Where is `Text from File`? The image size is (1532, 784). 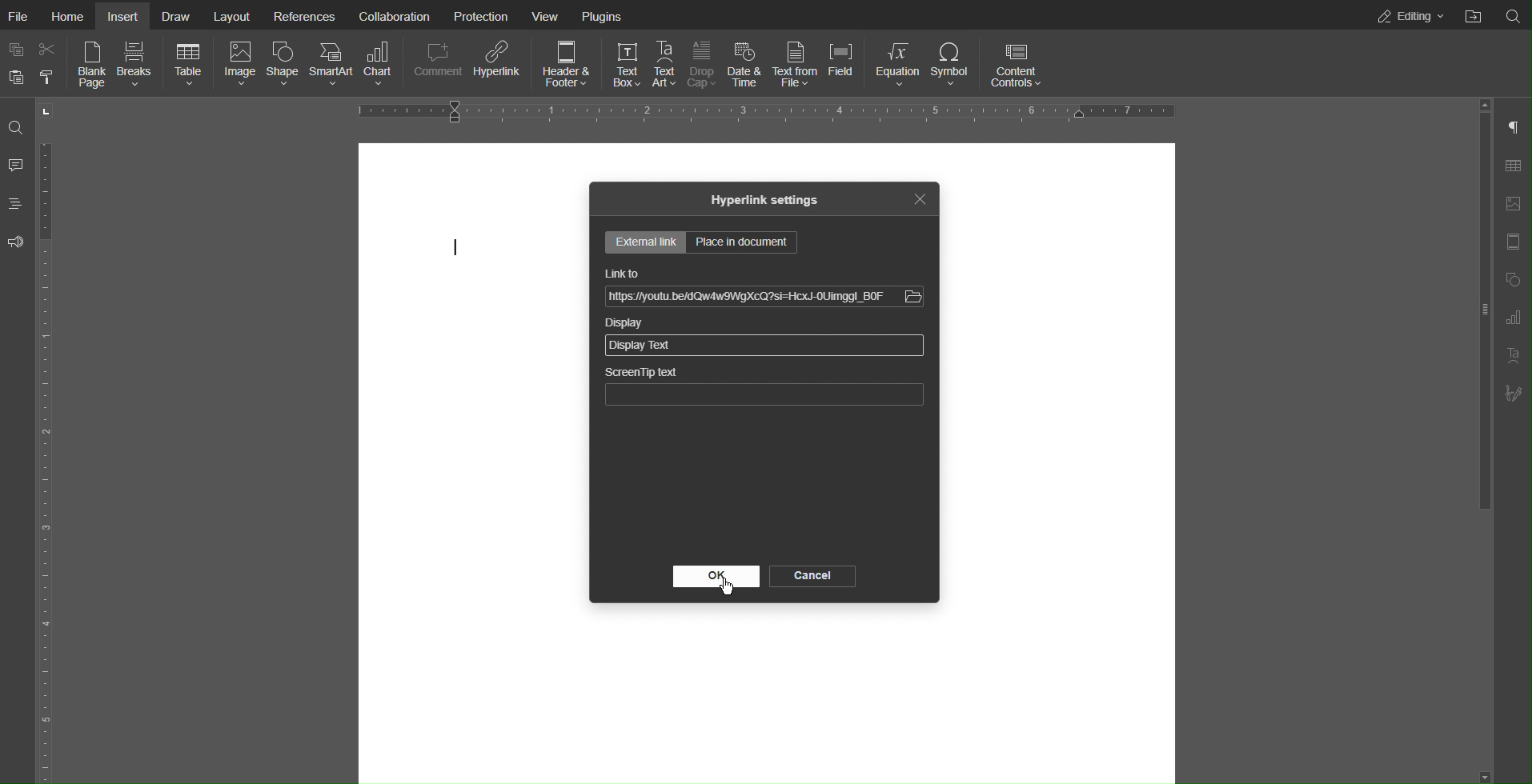 Text from File is located at coordinates (797, 66).